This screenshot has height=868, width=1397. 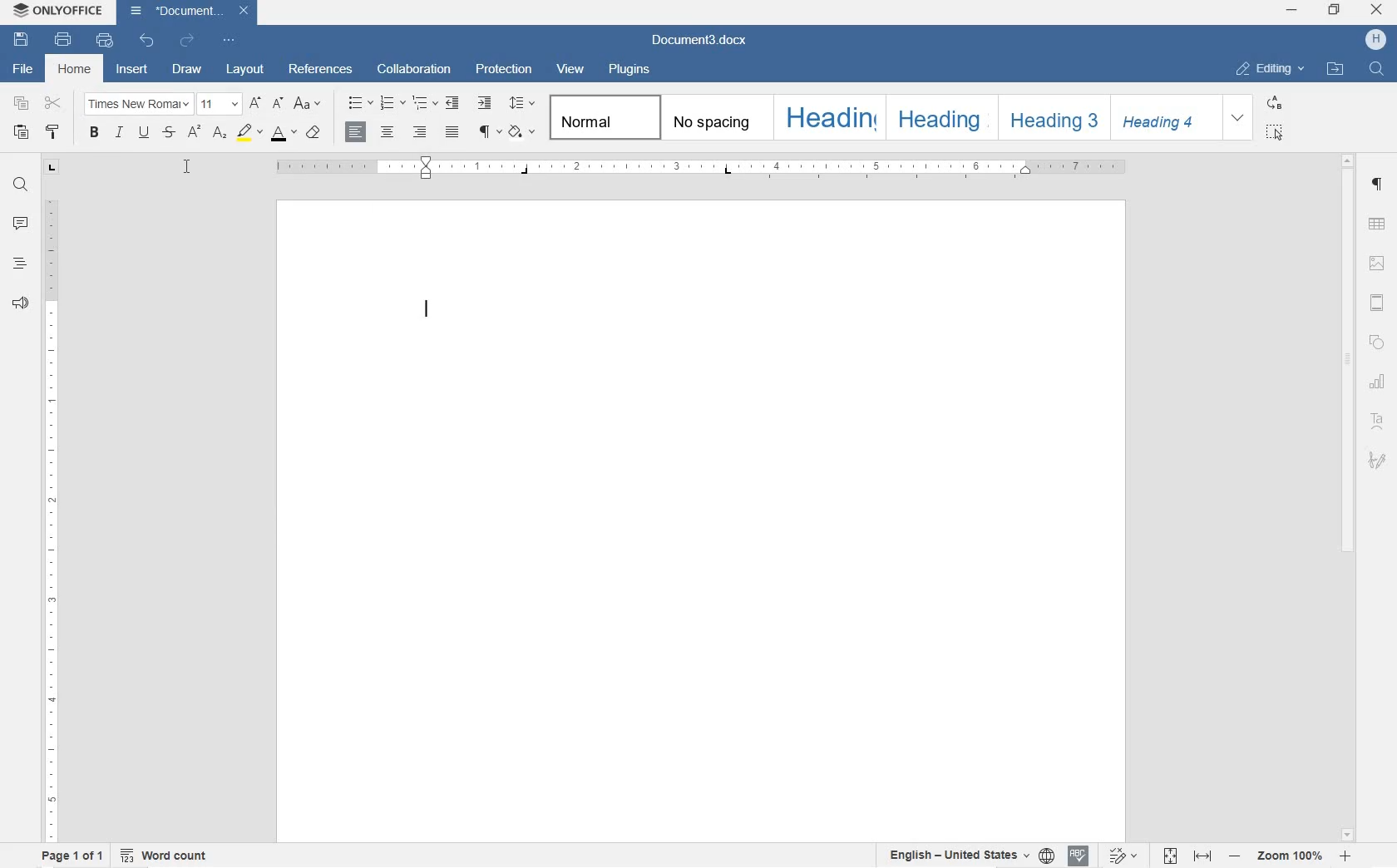 I want to click on MULTILEVEL LISTS, so click(x=422, y=104).